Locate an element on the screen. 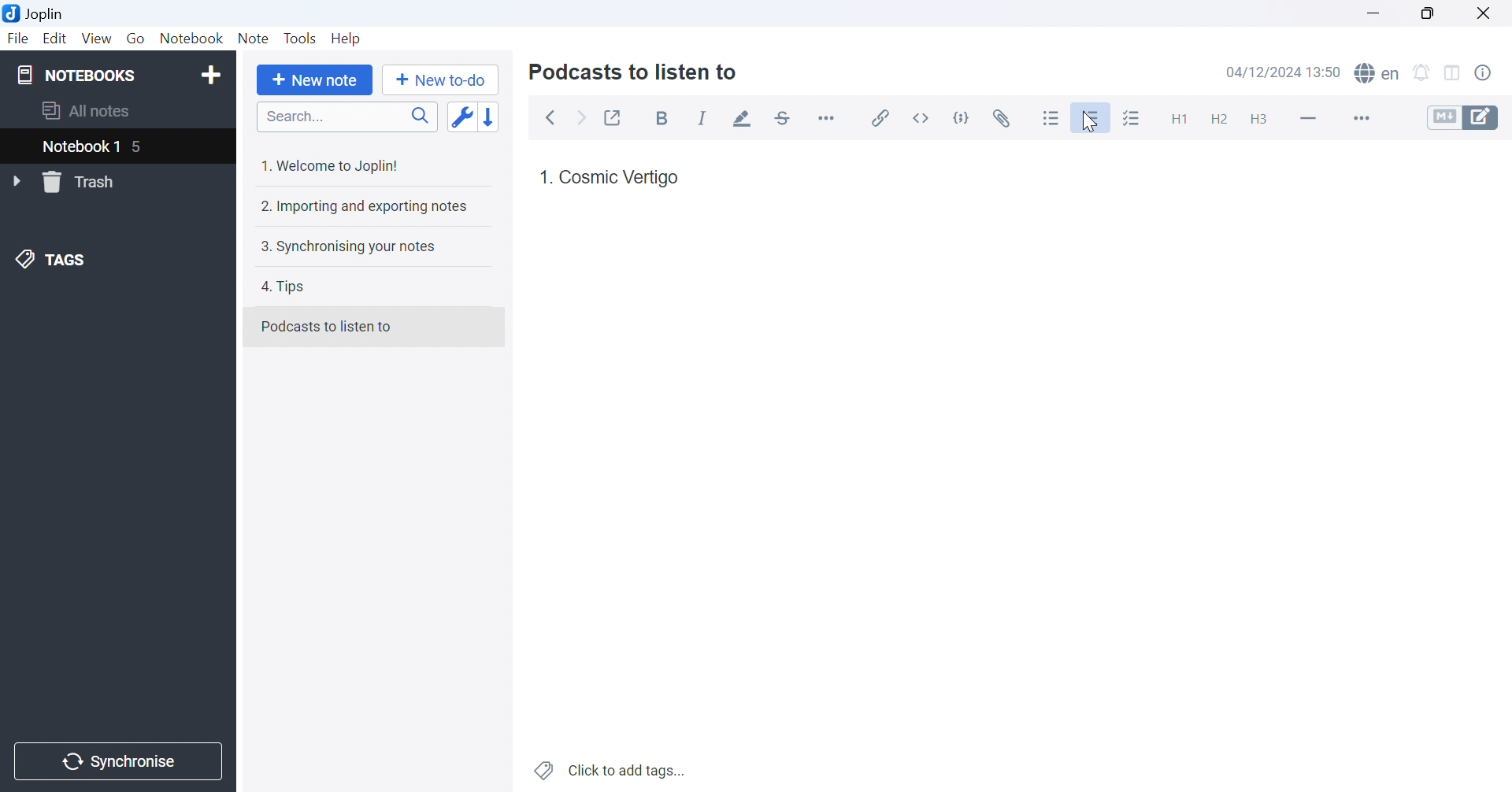 The height and width of the screenshot is (792, 1512). Minimize is located at coordinates (1372, 12).